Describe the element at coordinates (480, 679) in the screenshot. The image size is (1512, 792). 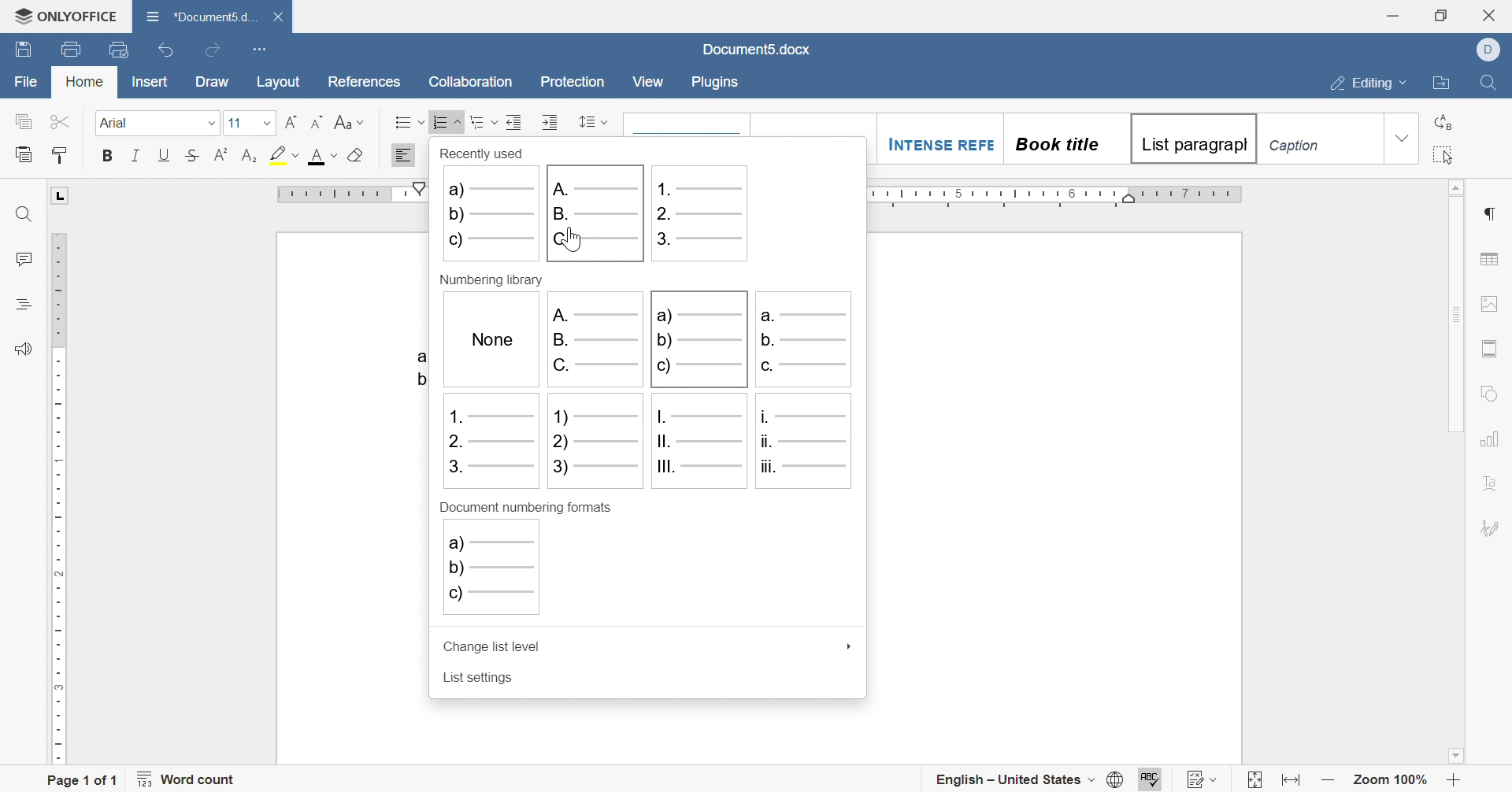
I see `list settings` at that location.